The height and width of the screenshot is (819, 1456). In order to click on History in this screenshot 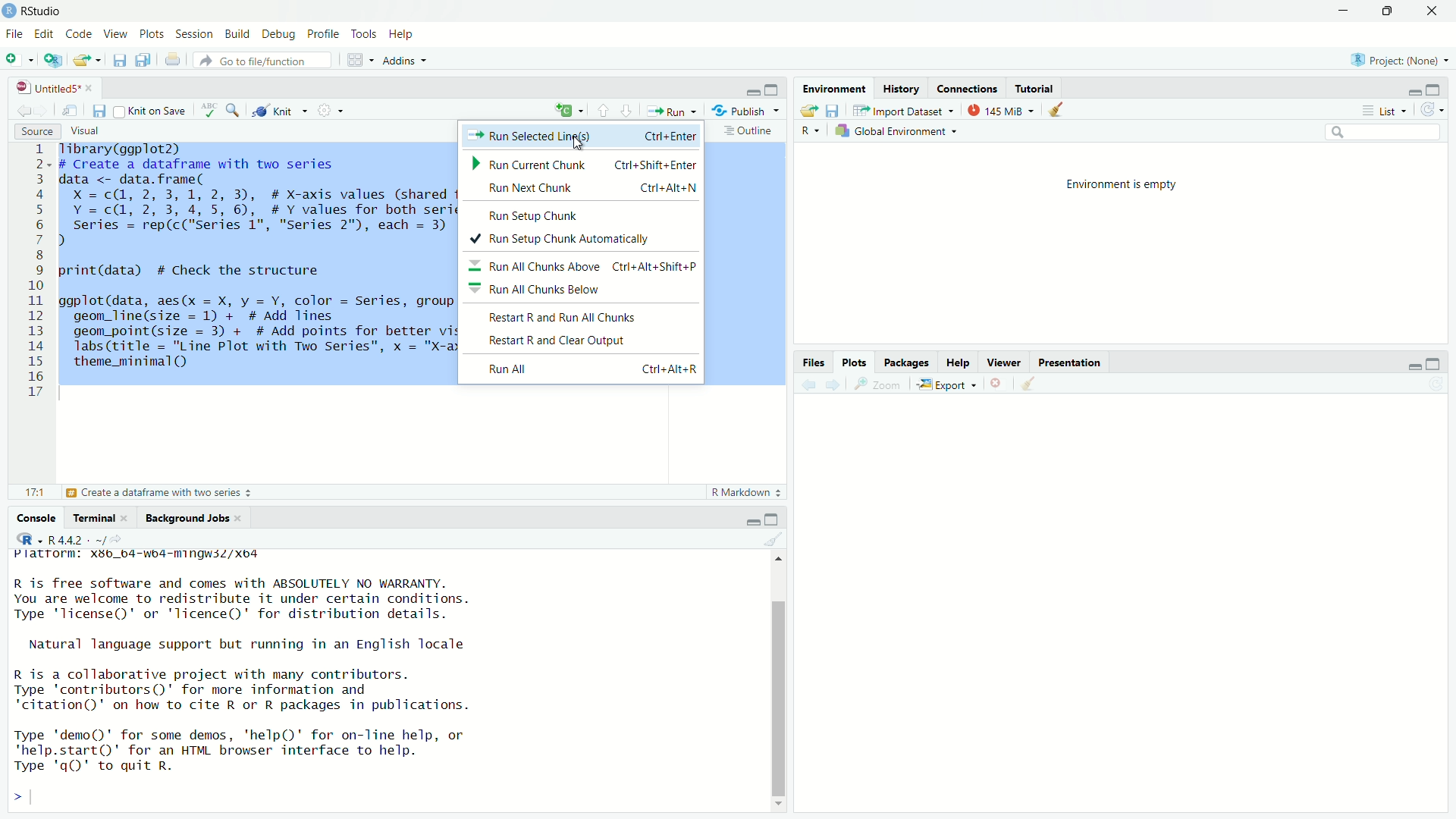, I will do `click(900, 89)`.